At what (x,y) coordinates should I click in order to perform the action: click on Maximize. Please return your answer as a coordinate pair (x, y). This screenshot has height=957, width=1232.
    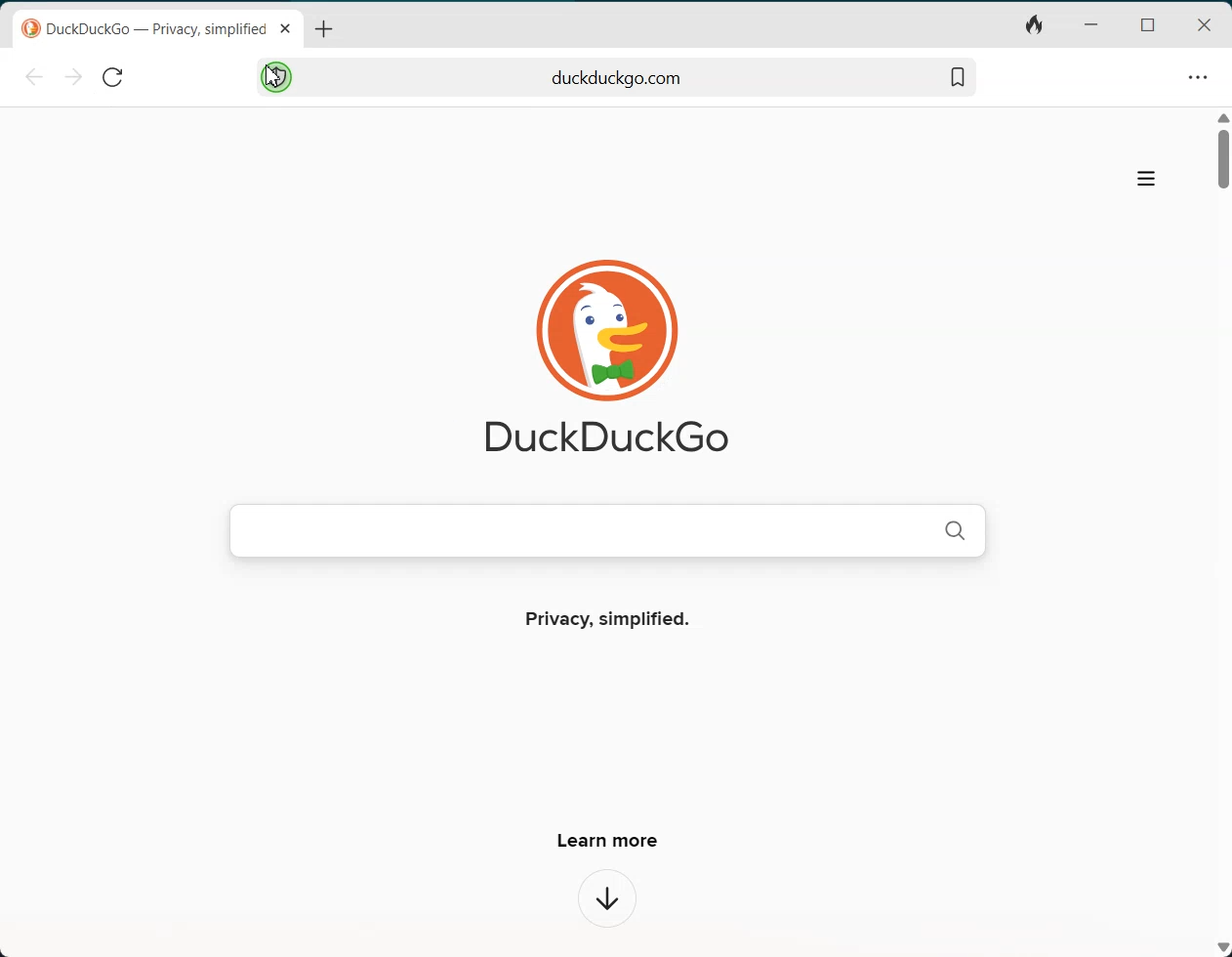
    Looking at the image, I should click on (1146, 23).